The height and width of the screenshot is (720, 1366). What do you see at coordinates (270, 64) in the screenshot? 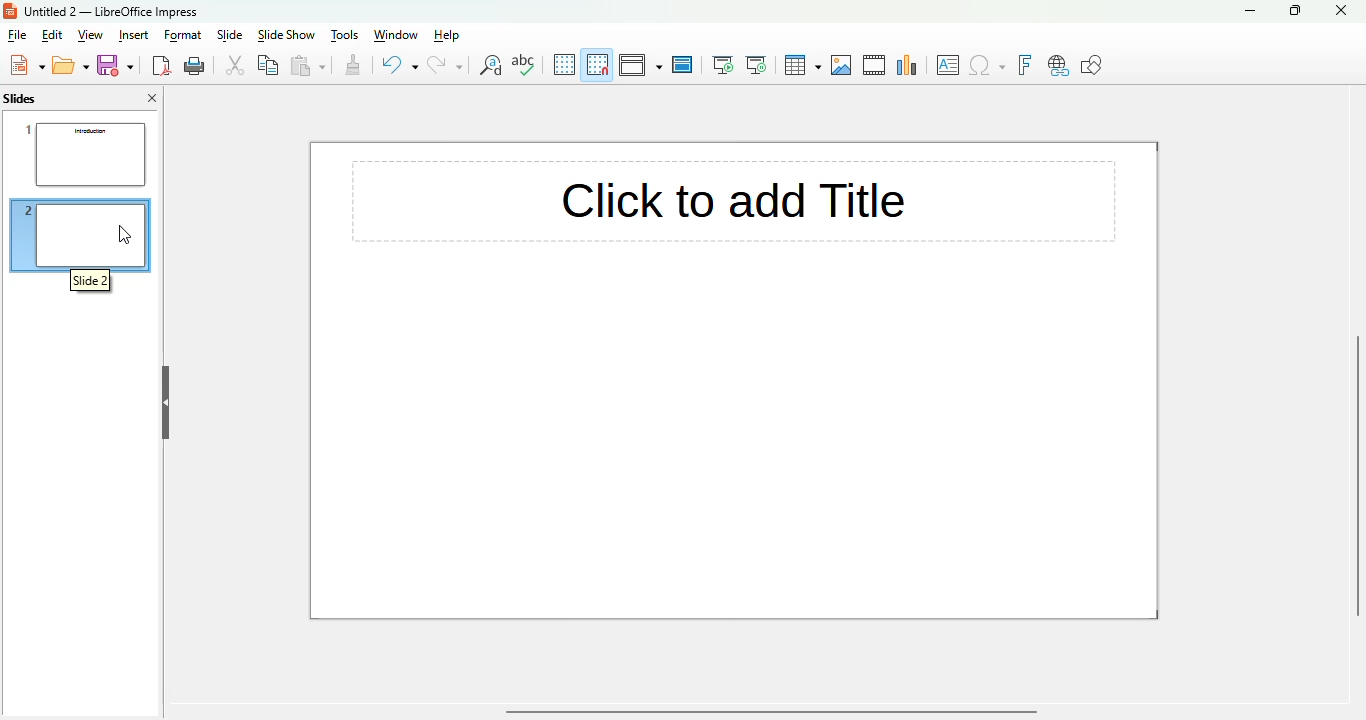
I see `copy` at bounding box center [270, 64].